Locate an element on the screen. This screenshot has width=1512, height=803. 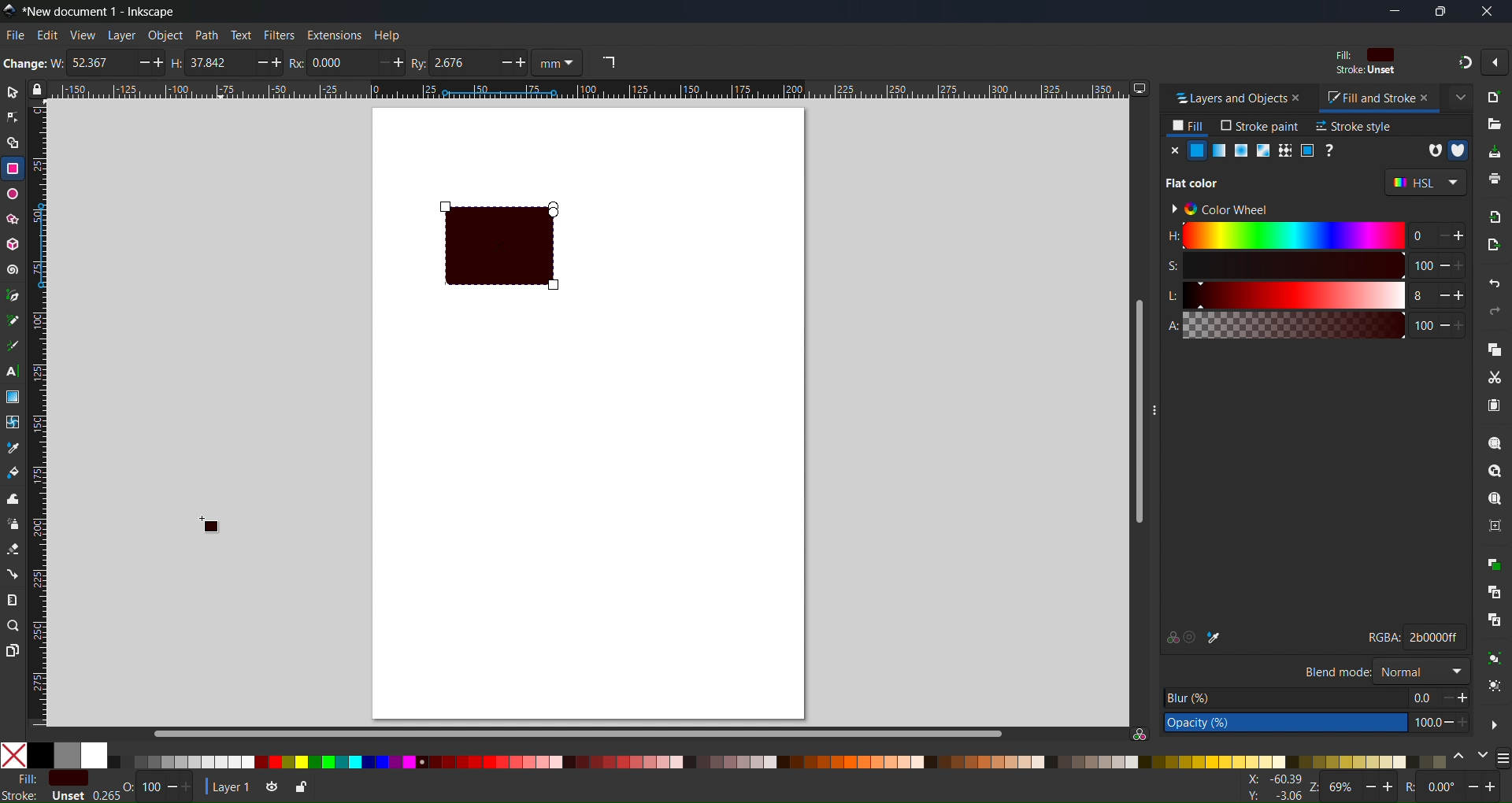
Color wheel is located at coordinates (1226, 207).